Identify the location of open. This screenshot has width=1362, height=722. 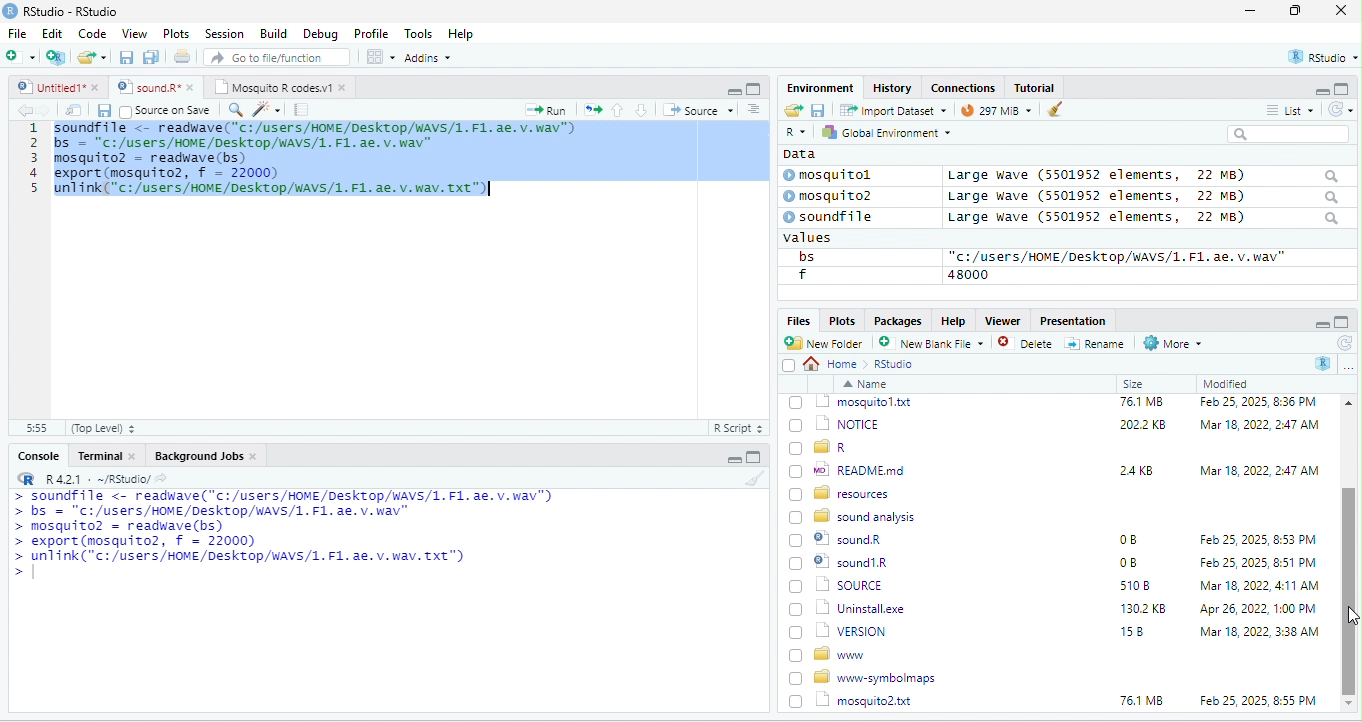
(593, 108).